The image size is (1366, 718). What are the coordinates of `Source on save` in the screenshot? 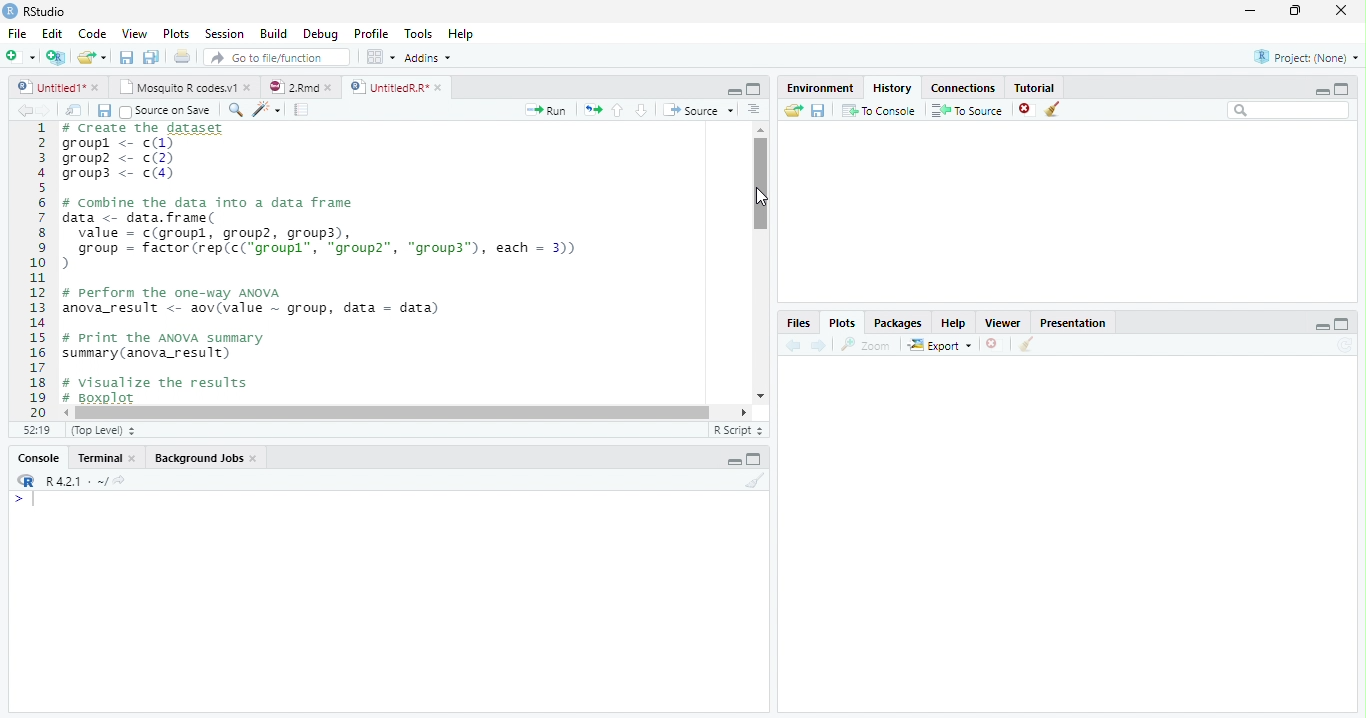 It's located at (169, 111).